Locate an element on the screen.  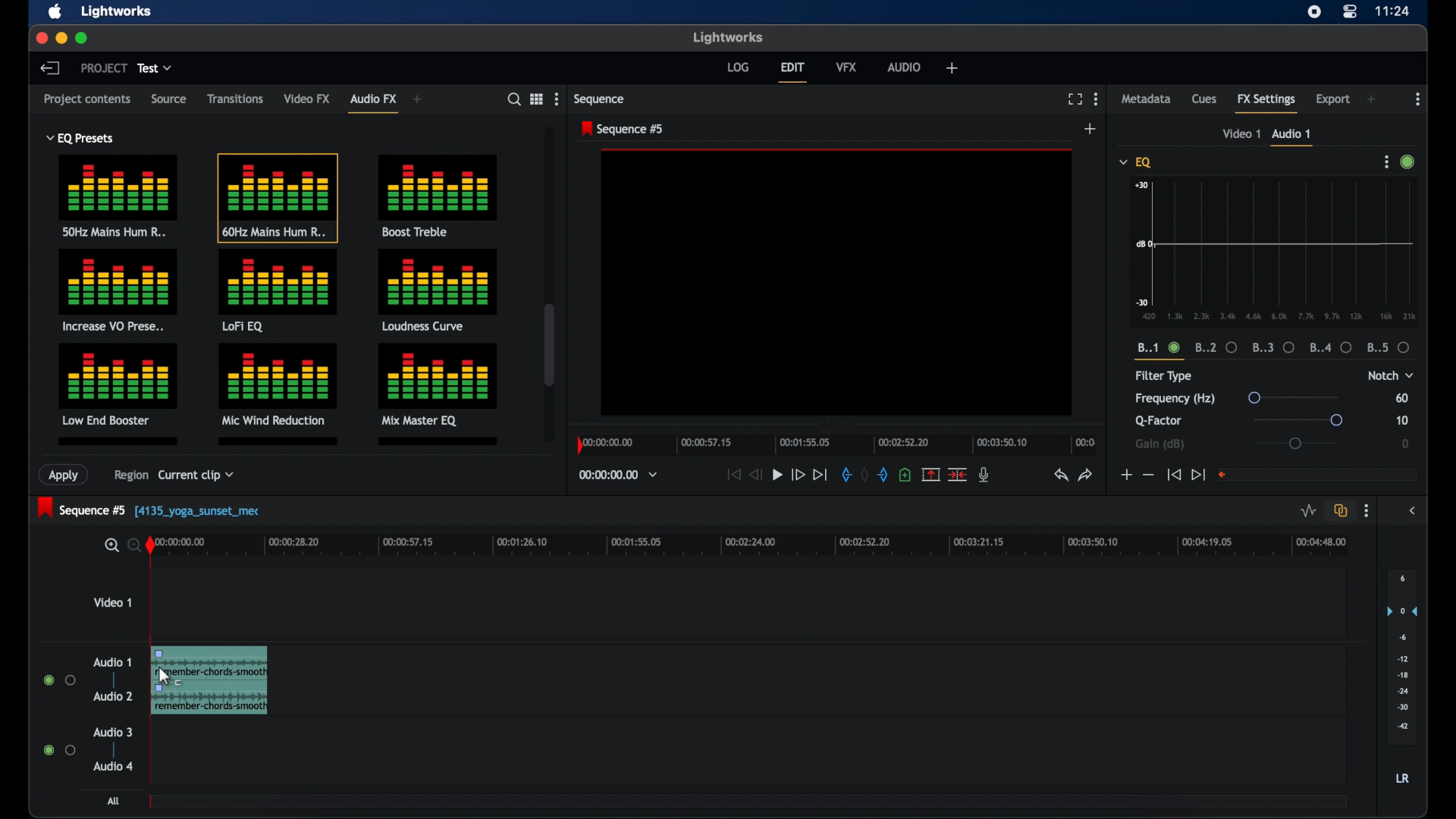
apply is located at coordinates (66, 475).